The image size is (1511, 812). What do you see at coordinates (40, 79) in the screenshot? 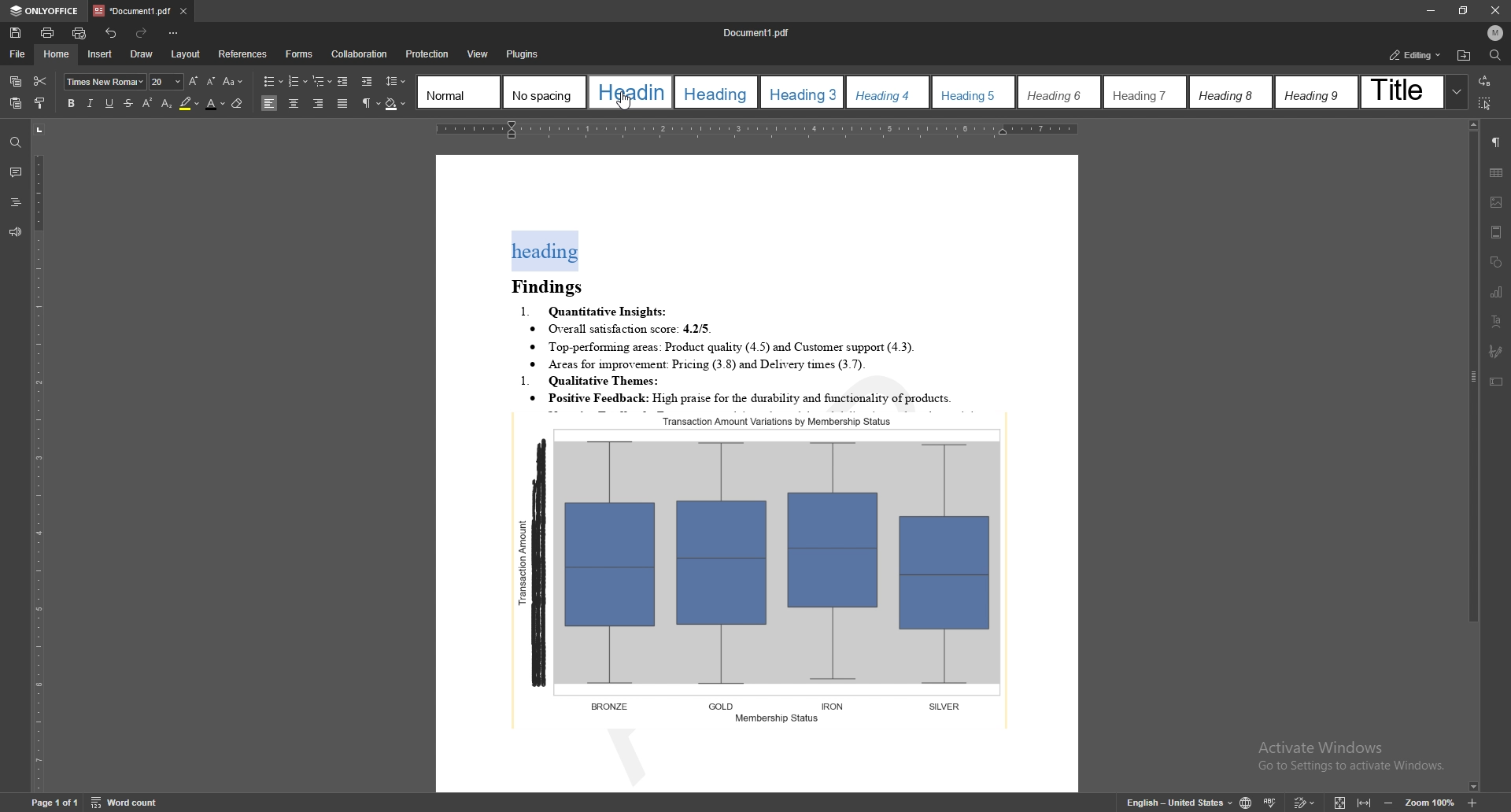
I see `cut` at bounding box center [40, 79].